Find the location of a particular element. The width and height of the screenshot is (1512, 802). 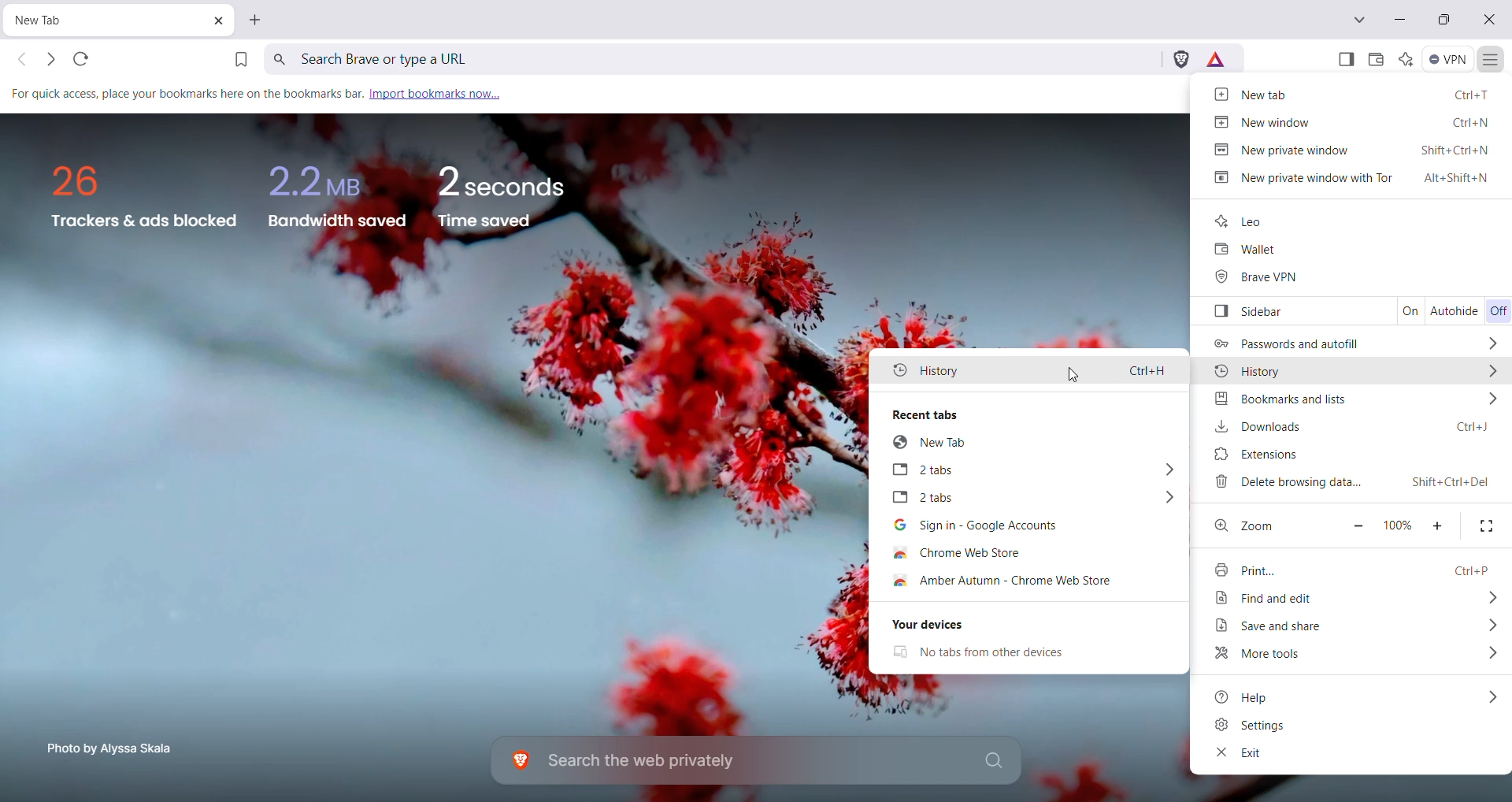

New Tab is located at coordinates (83, 20).